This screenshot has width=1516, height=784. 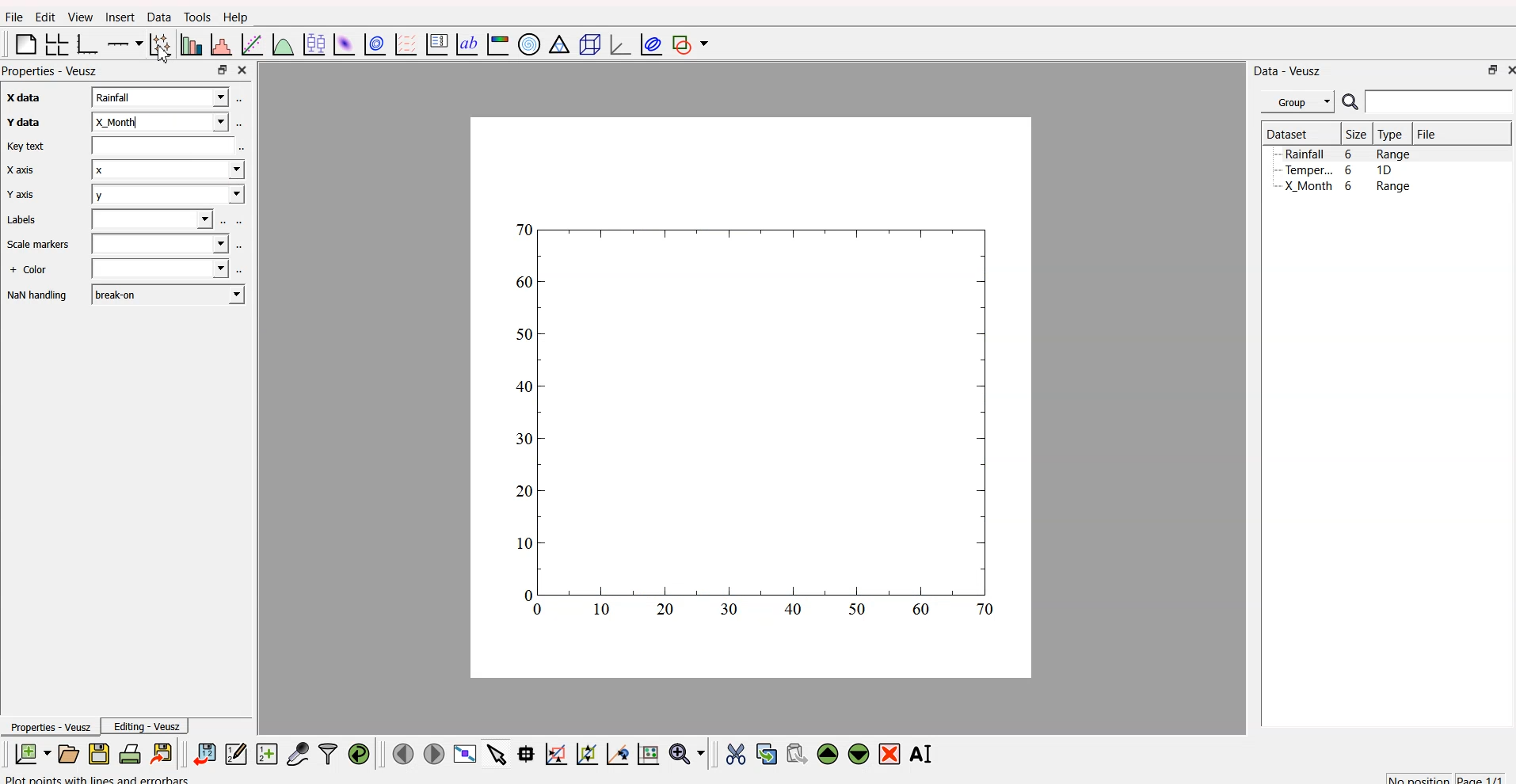 What do you see at coordinates (158, 44) in the screenshot?
I see `plot points` at bounding box center [158, 44].